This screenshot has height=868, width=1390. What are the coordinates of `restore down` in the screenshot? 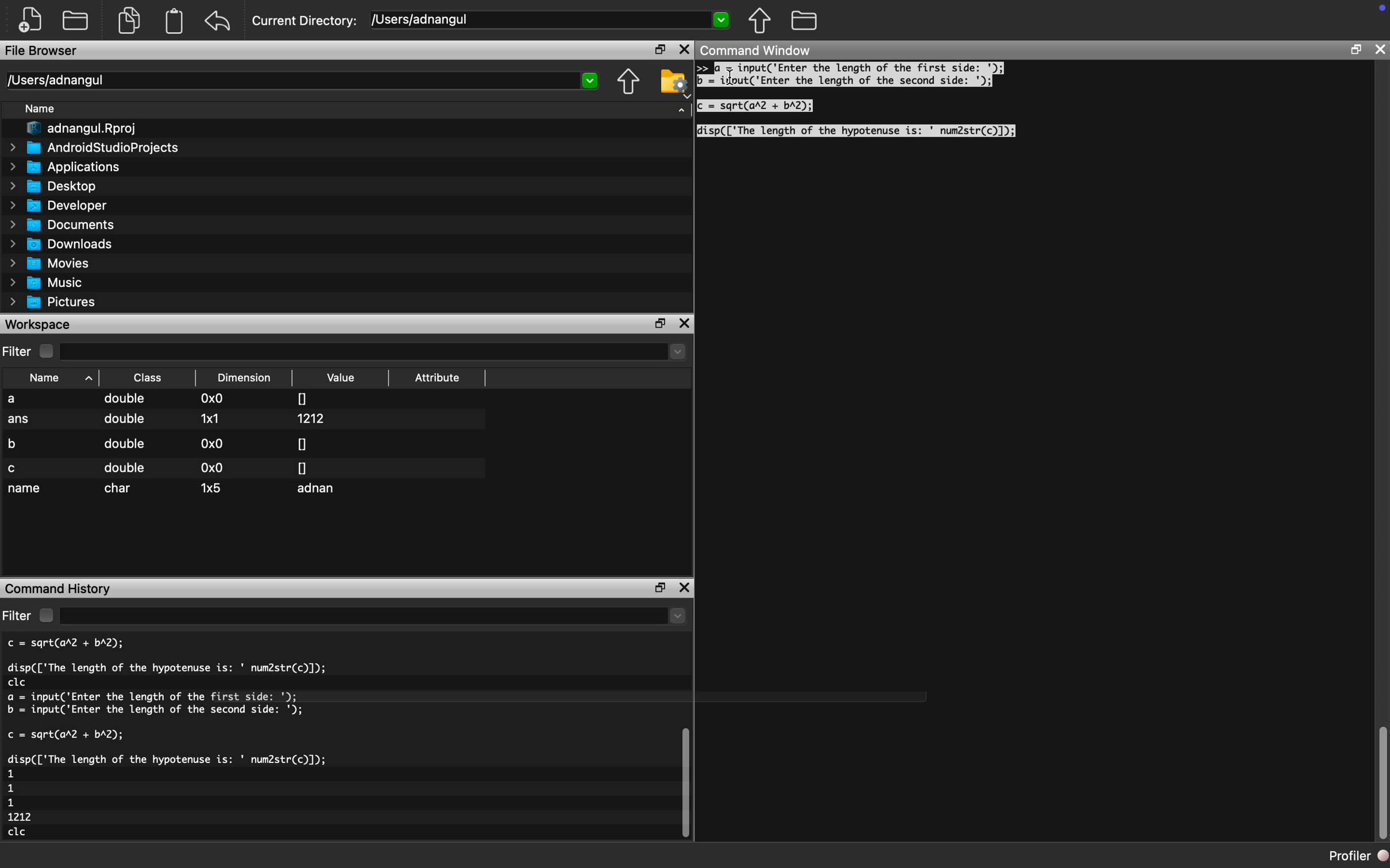 It's located at (657, 587).